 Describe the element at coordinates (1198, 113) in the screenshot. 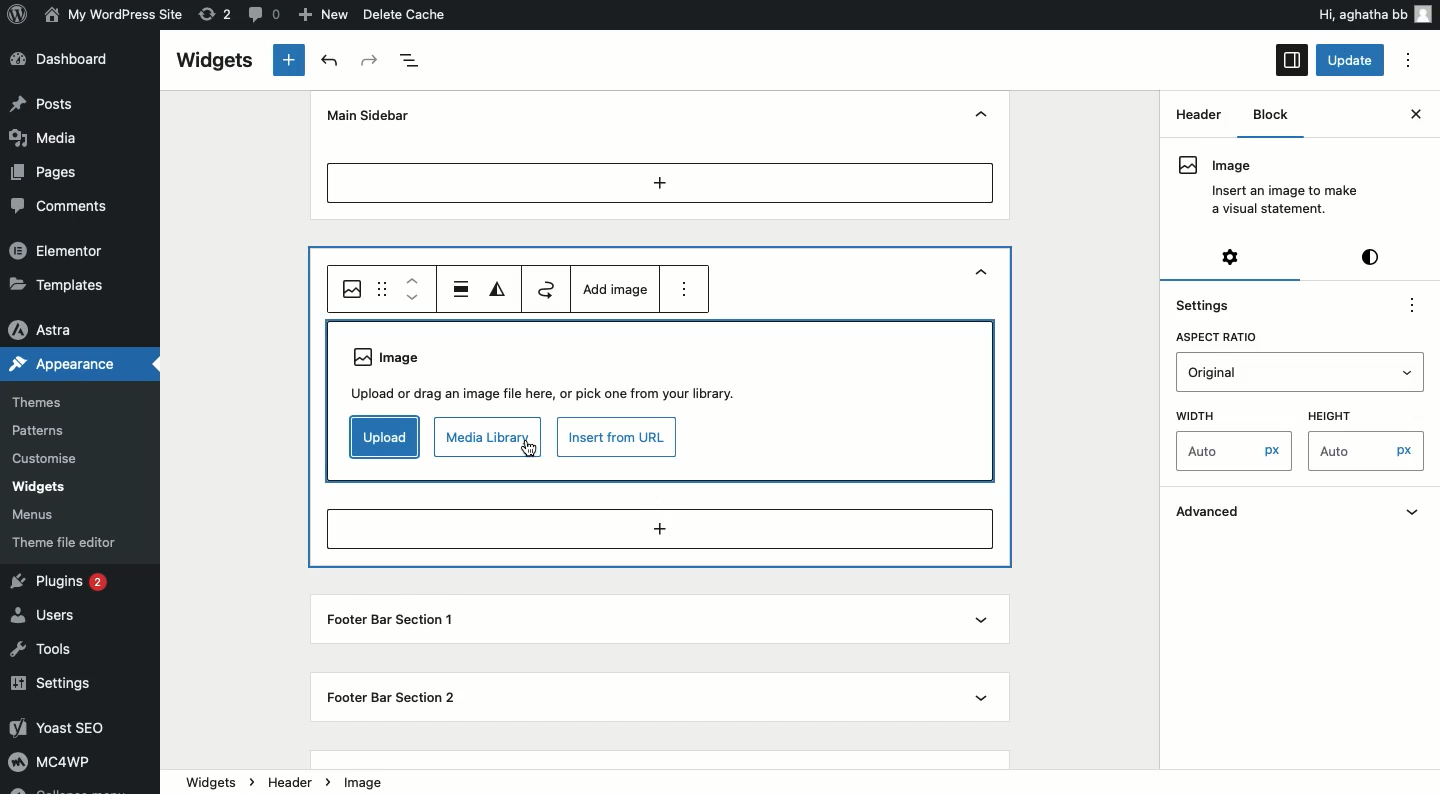

I see `Header` at that location.